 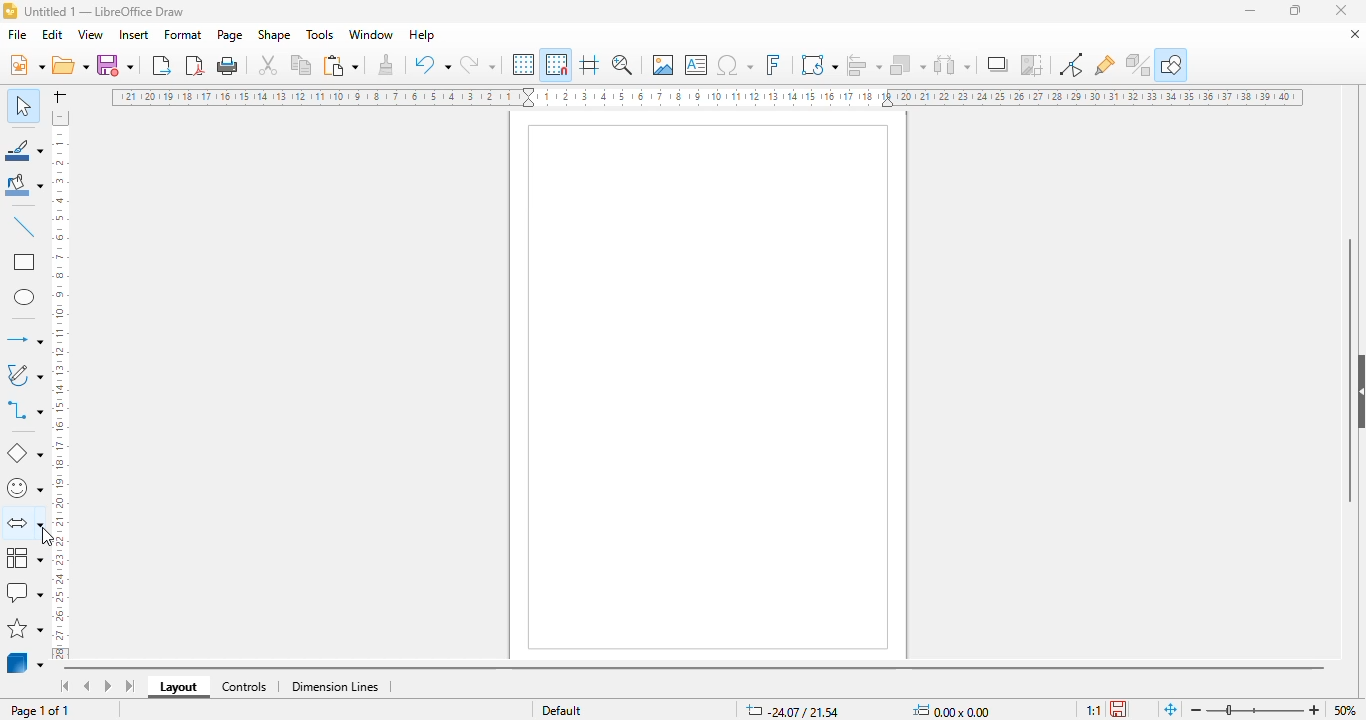 What do you see at coordinates (1104, 66) in the screenshot?
I see `show gluepoint functions` at bounding box center [1104, 66].